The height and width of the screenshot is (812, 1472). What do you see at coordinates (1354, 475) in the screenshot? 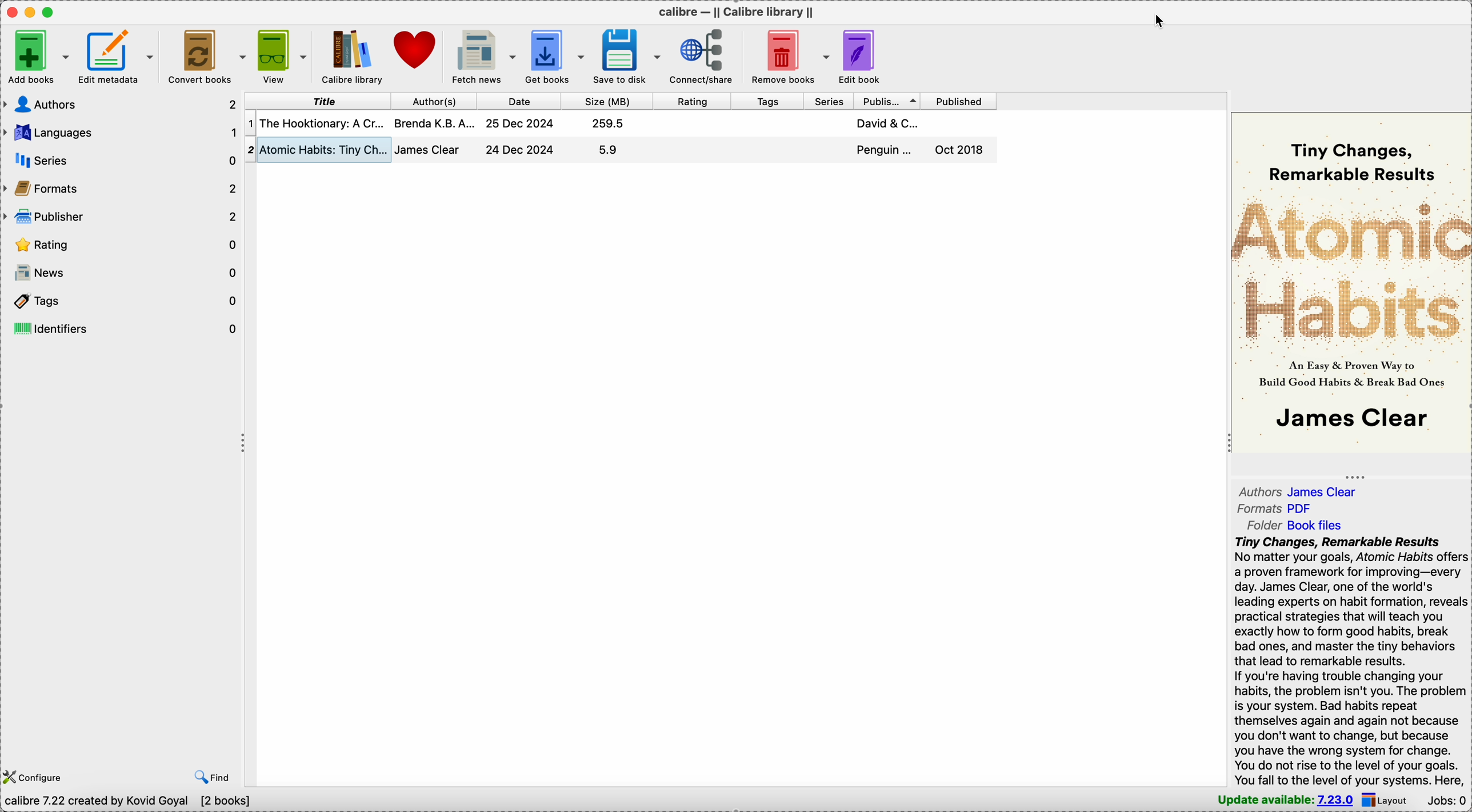
I see `toggle expand/contract` at bounding box center [1354, 475].